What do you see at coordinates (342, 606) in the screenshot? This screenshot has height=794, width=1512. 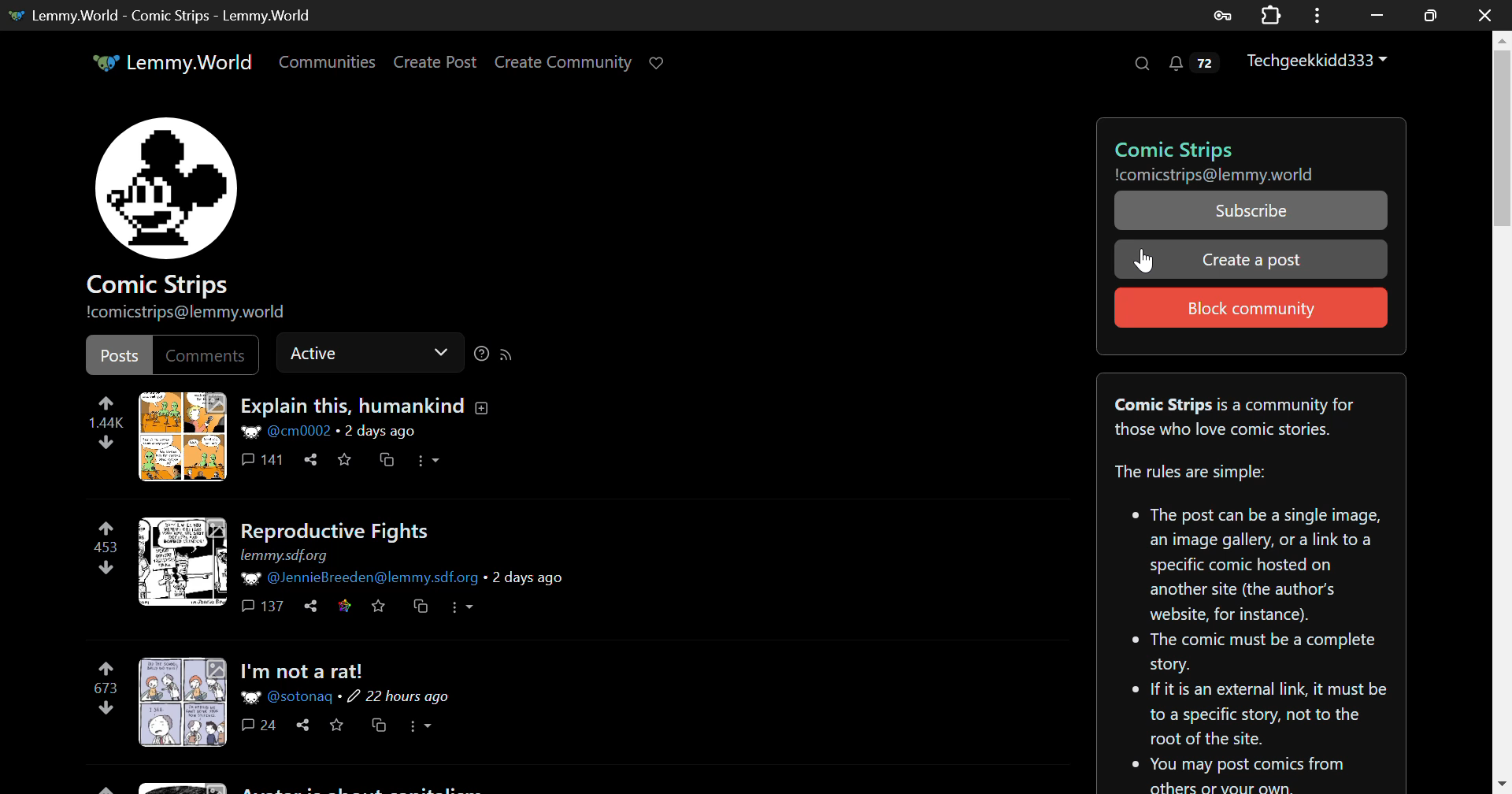 I see `Save Link` at bounding box center [342, 606].